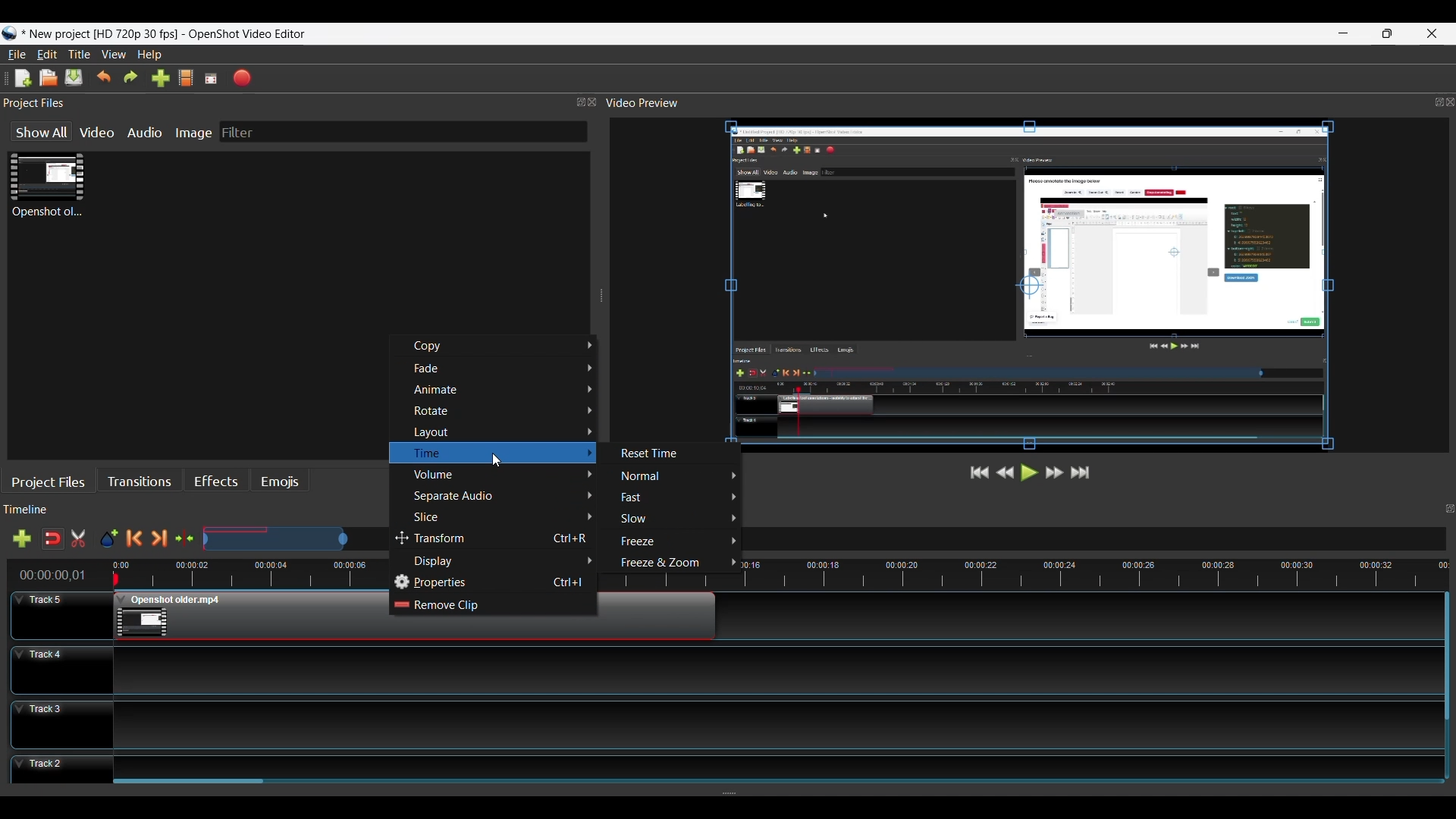 The image size is (1456, 819). Describe the element at coordinates (143, 134) in the screenshot. I see `Audio` at that location.